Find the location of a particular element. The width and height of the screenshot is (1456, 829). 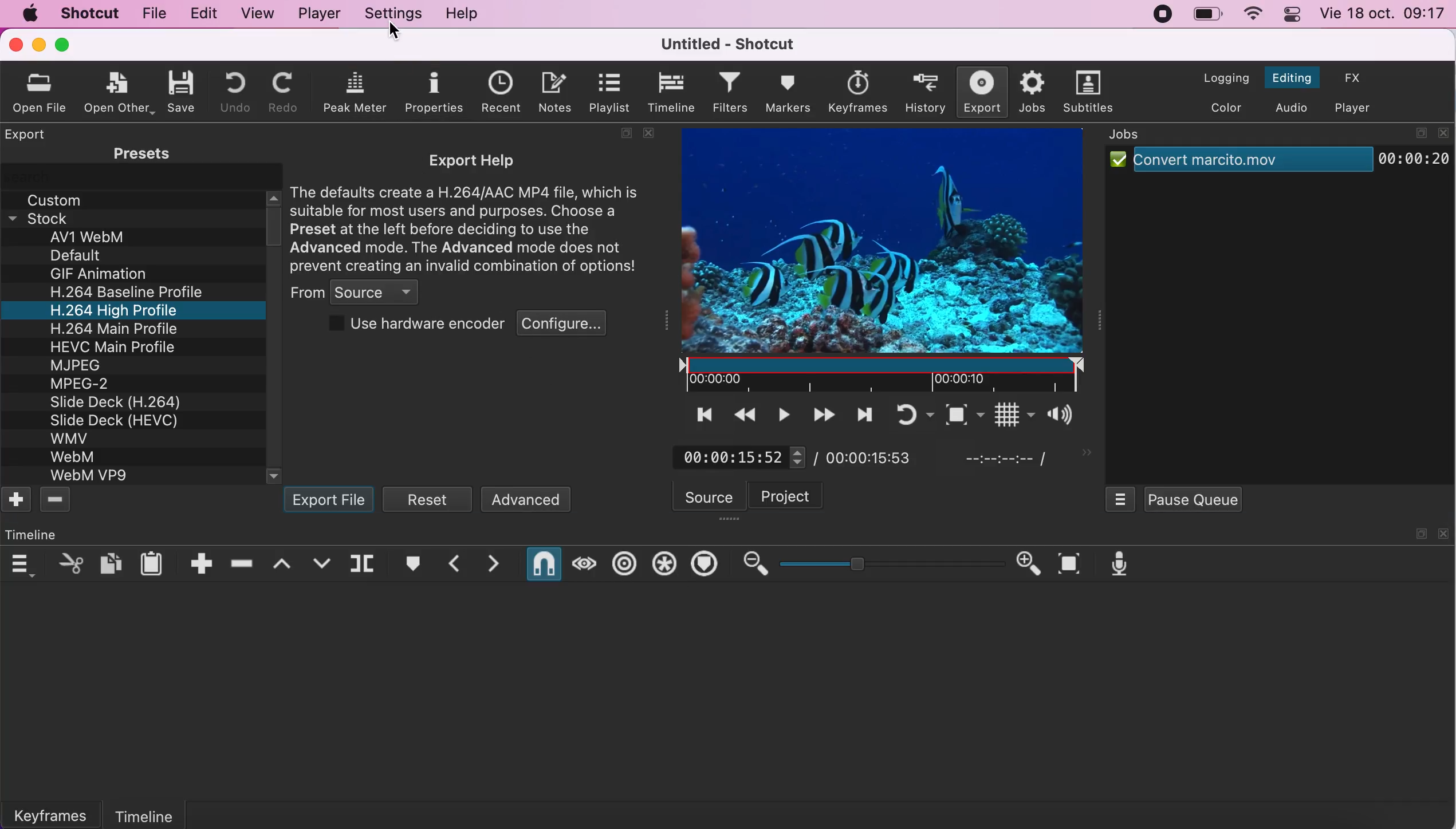

keyframes is located at coordinates (58, 814).